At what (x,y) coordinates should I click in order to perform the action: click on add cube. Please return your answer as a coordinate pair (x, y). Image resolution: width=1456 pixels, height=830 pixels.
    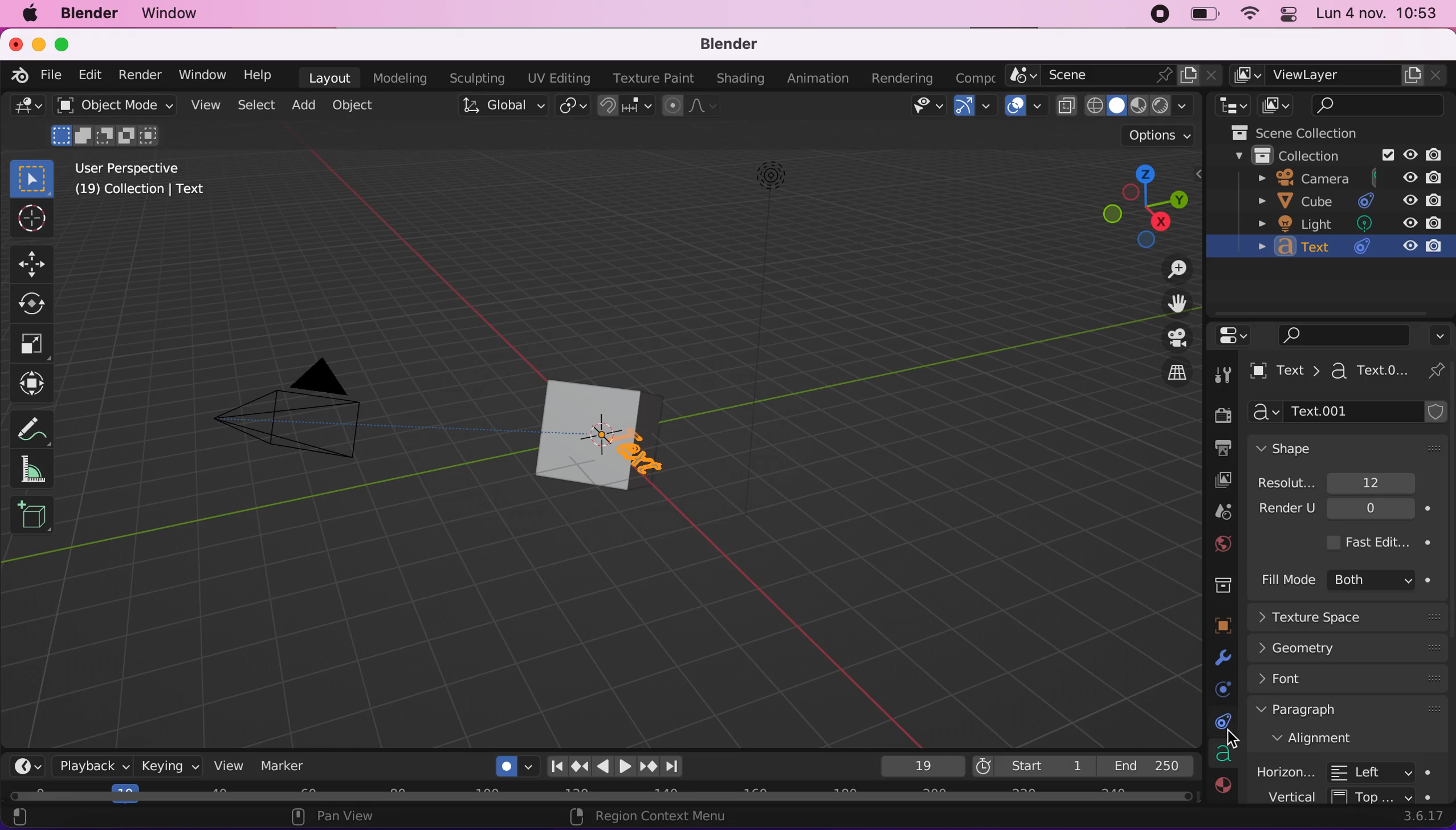
    Looking at the image, I should click on (33, 521).